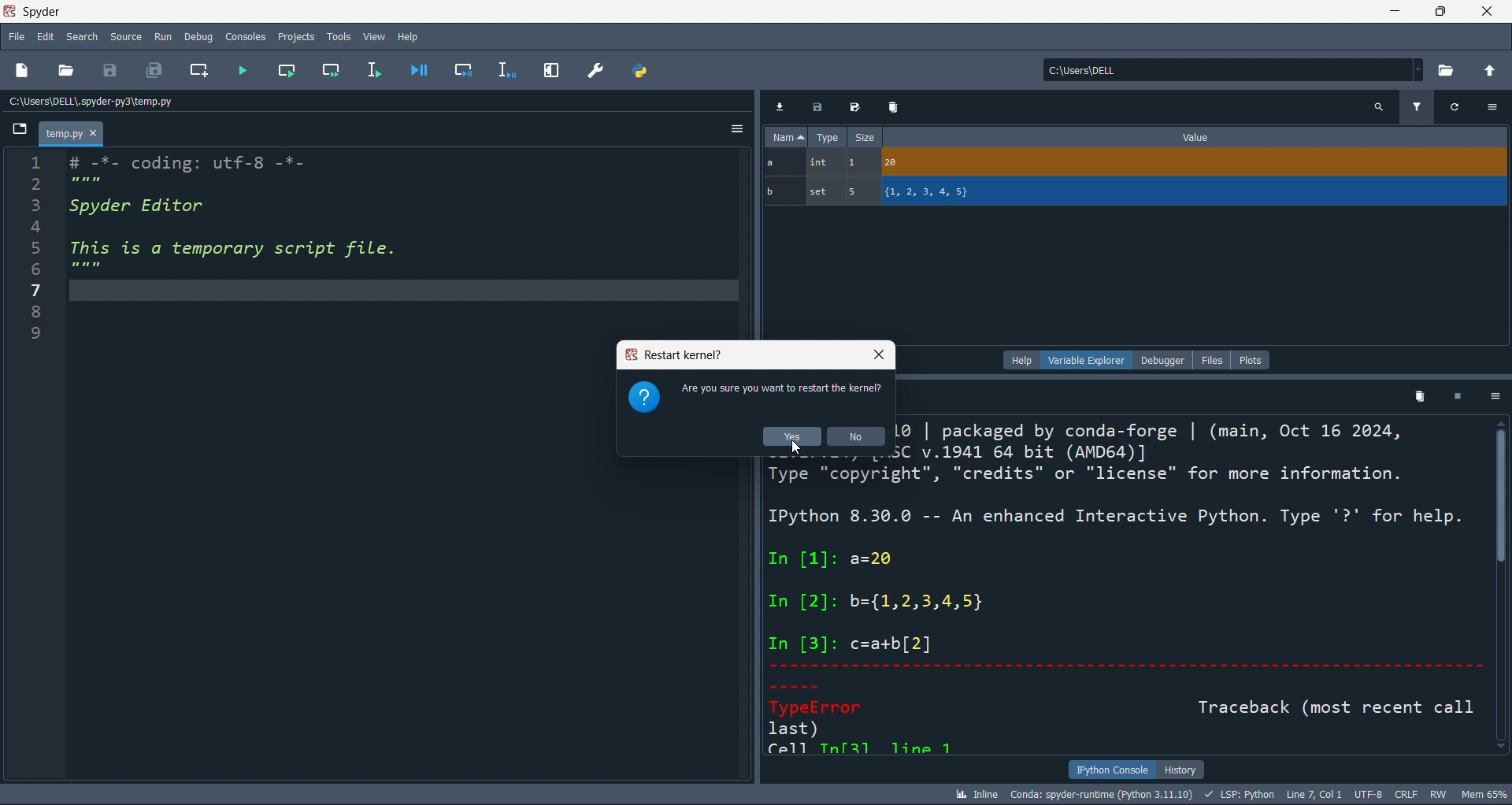 This screenshot has height=805, width=1512. Describe the element at coordinates (1406, 795) in the screenshot. I see `CRLF` at that location.